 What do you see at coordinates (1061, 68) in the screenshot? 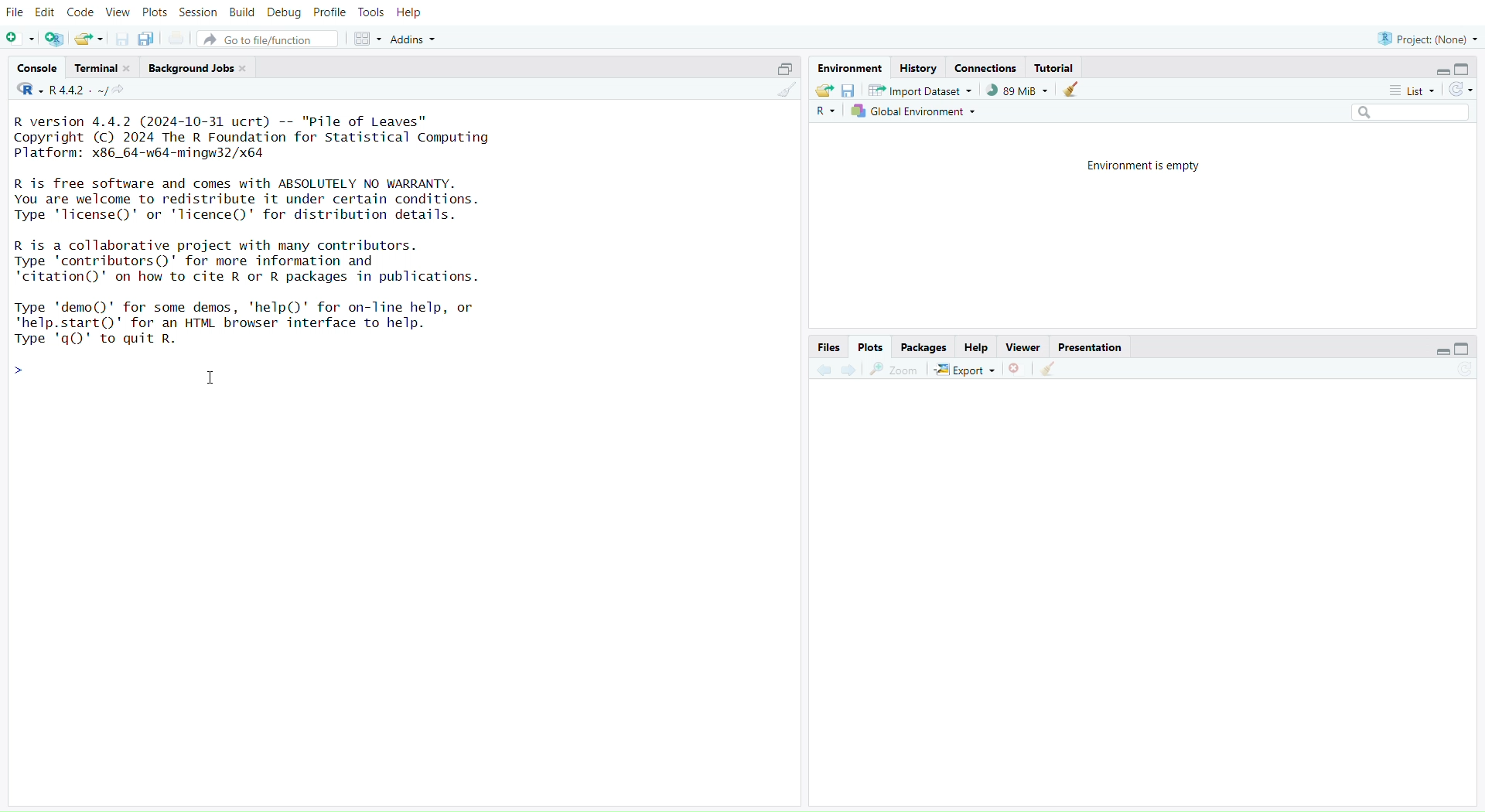
I see `Tutorial` at bounding box center [1061, 68].